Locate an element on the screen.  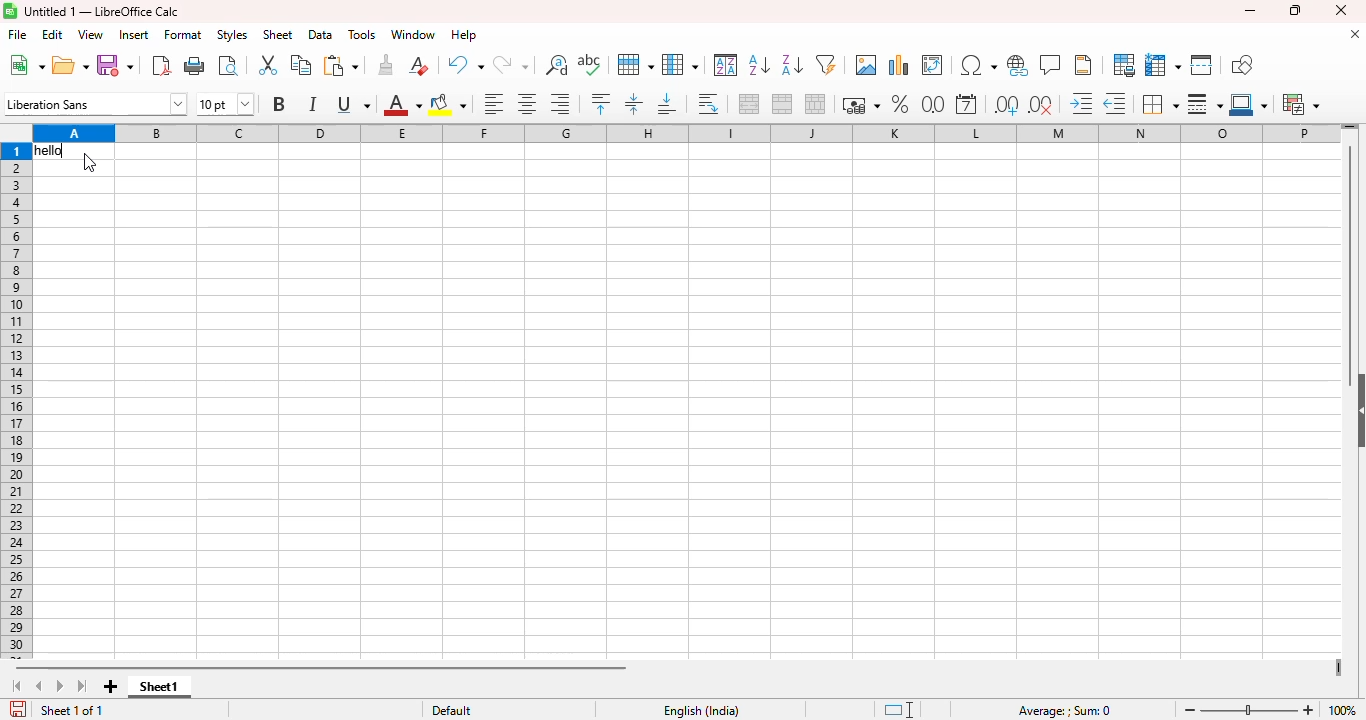
define print area is located at coordinates (1124, 65).